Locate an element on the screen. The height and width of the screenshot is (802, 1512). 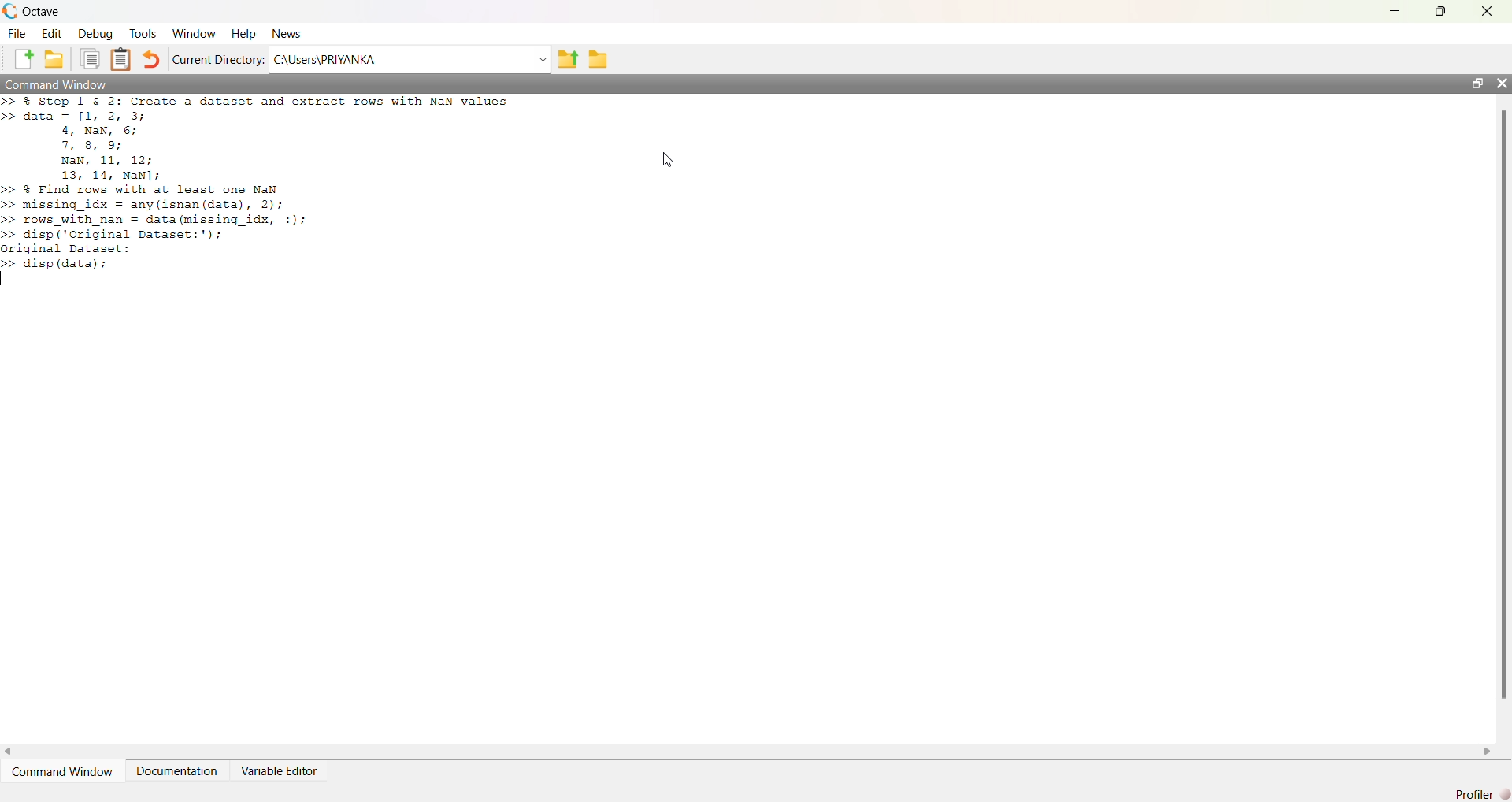
Help is located at coordinates (243, 35).